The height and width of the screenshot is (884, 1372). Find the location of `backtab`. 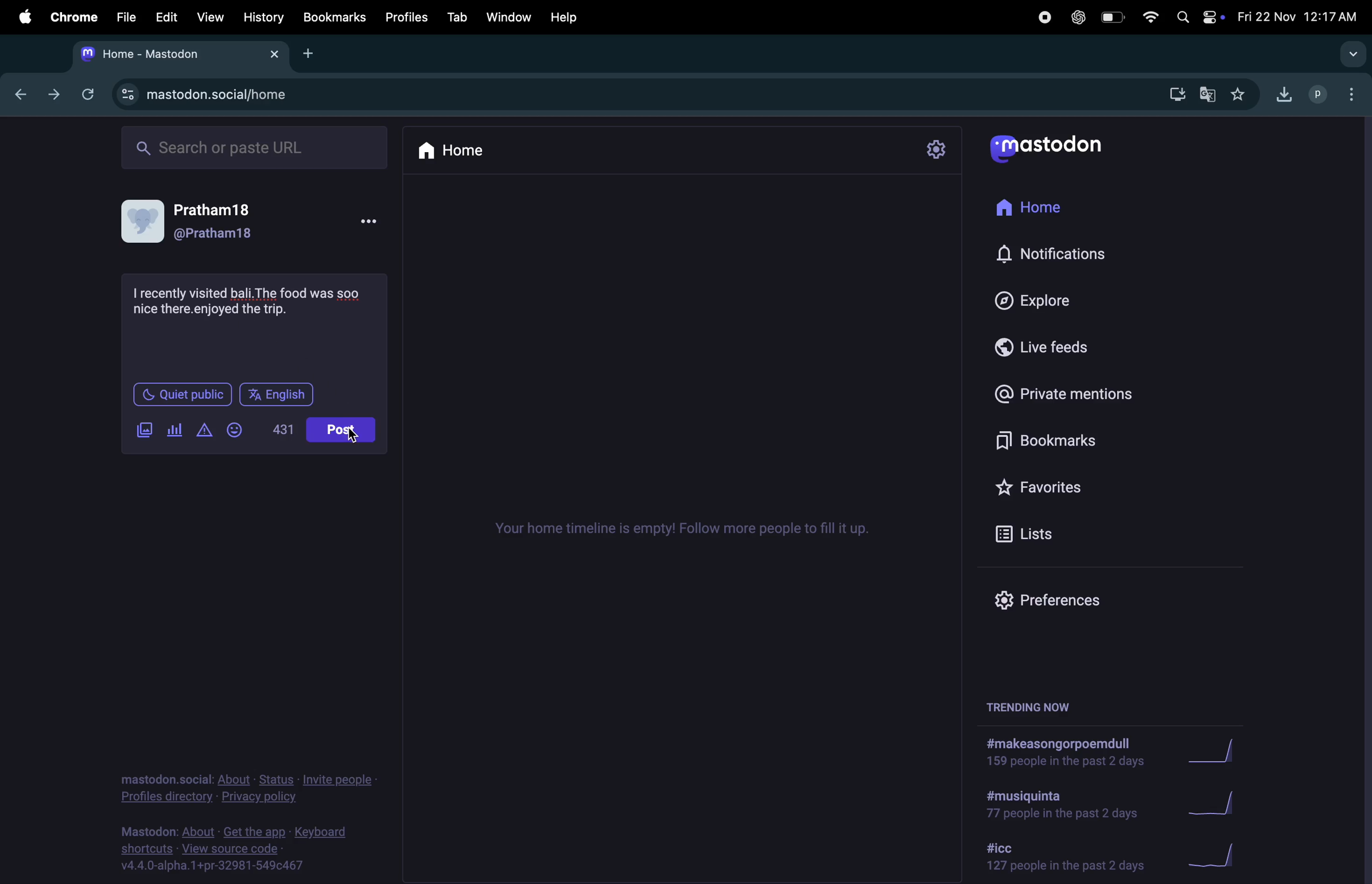

backtab is located at coordinates (17, 94).